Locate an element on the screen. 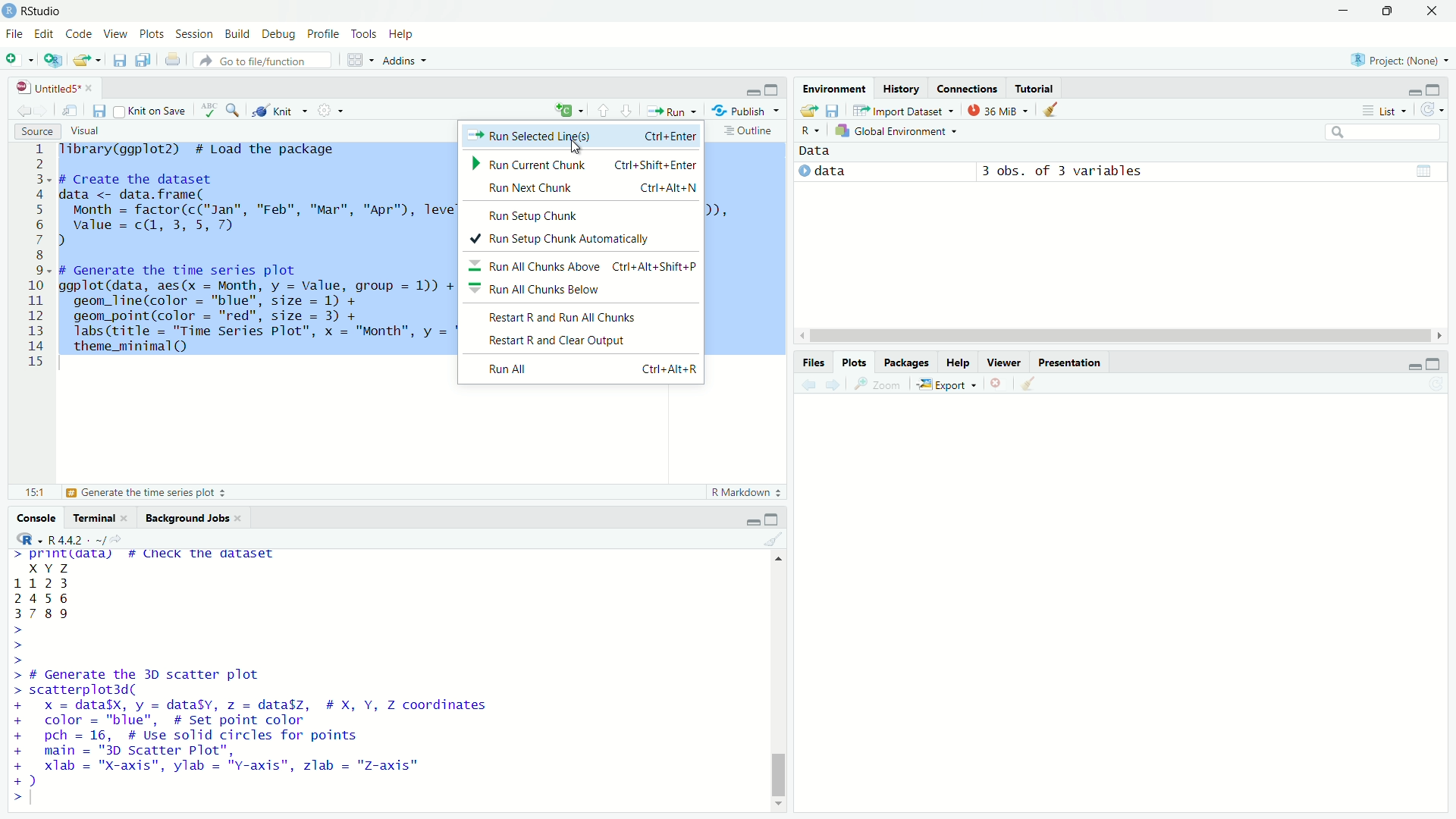  untitled5 is located at coordinates (40, 86).